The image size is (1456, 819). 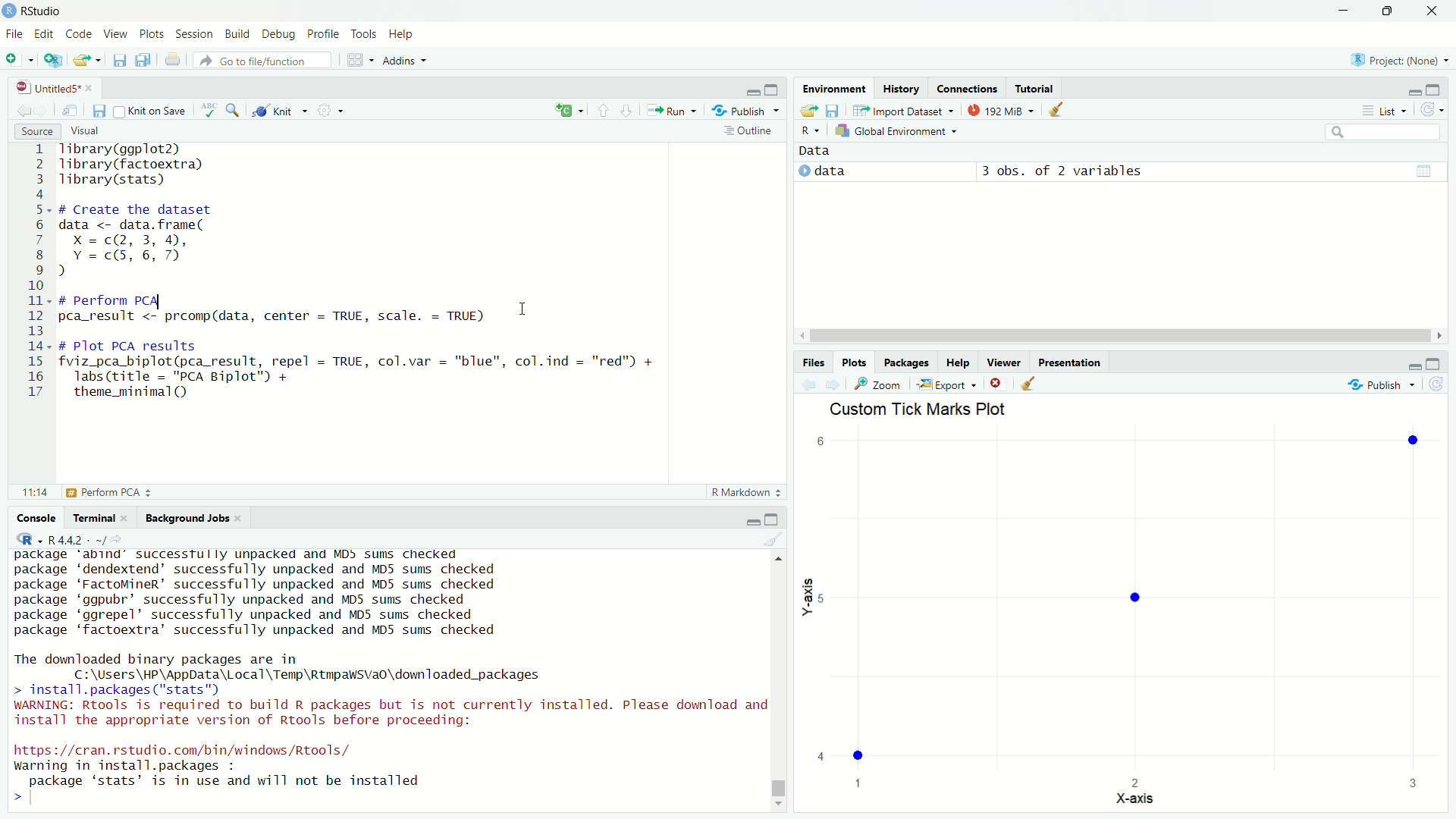 I want to click on maximum, so click(x=1435, y=362).